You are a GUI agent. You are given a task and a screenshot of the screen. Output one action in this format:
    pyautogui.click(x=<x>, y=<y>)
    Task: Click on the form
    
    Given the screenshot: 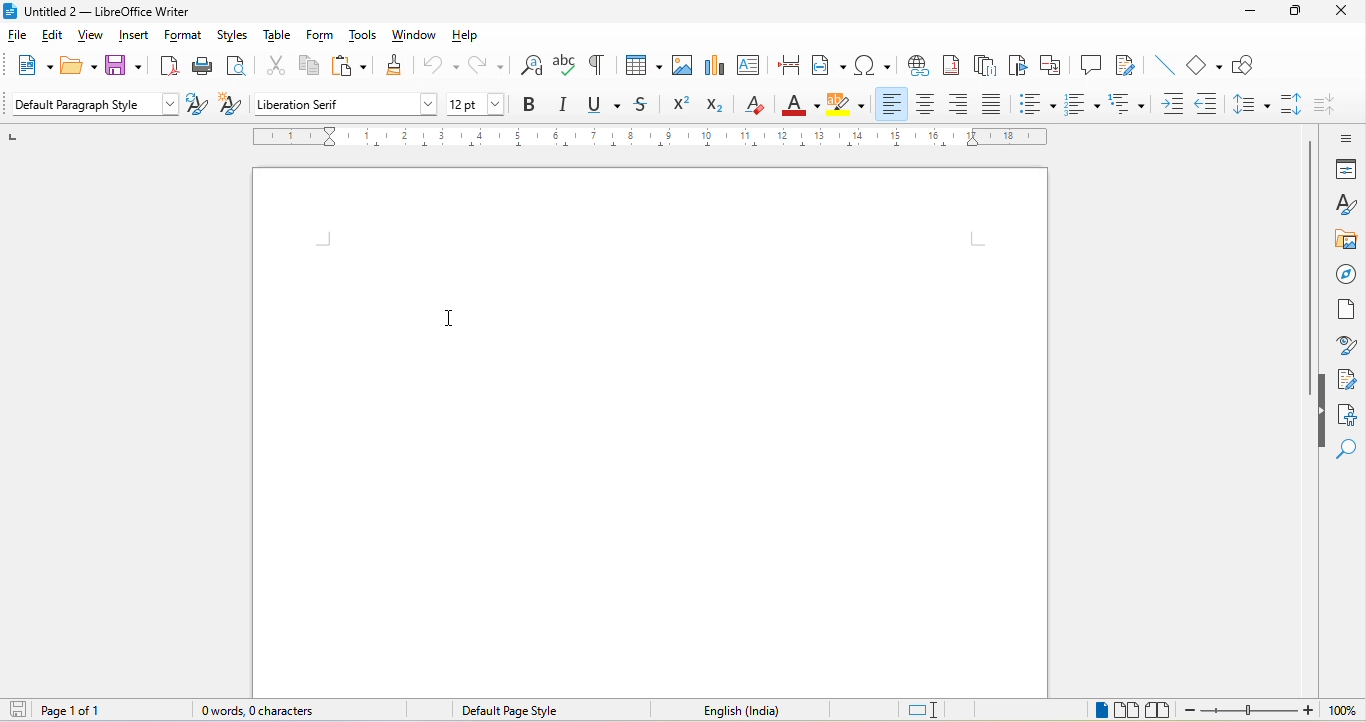 What is the action you would take?
    pyautogui.click(x=322, y=37)
    